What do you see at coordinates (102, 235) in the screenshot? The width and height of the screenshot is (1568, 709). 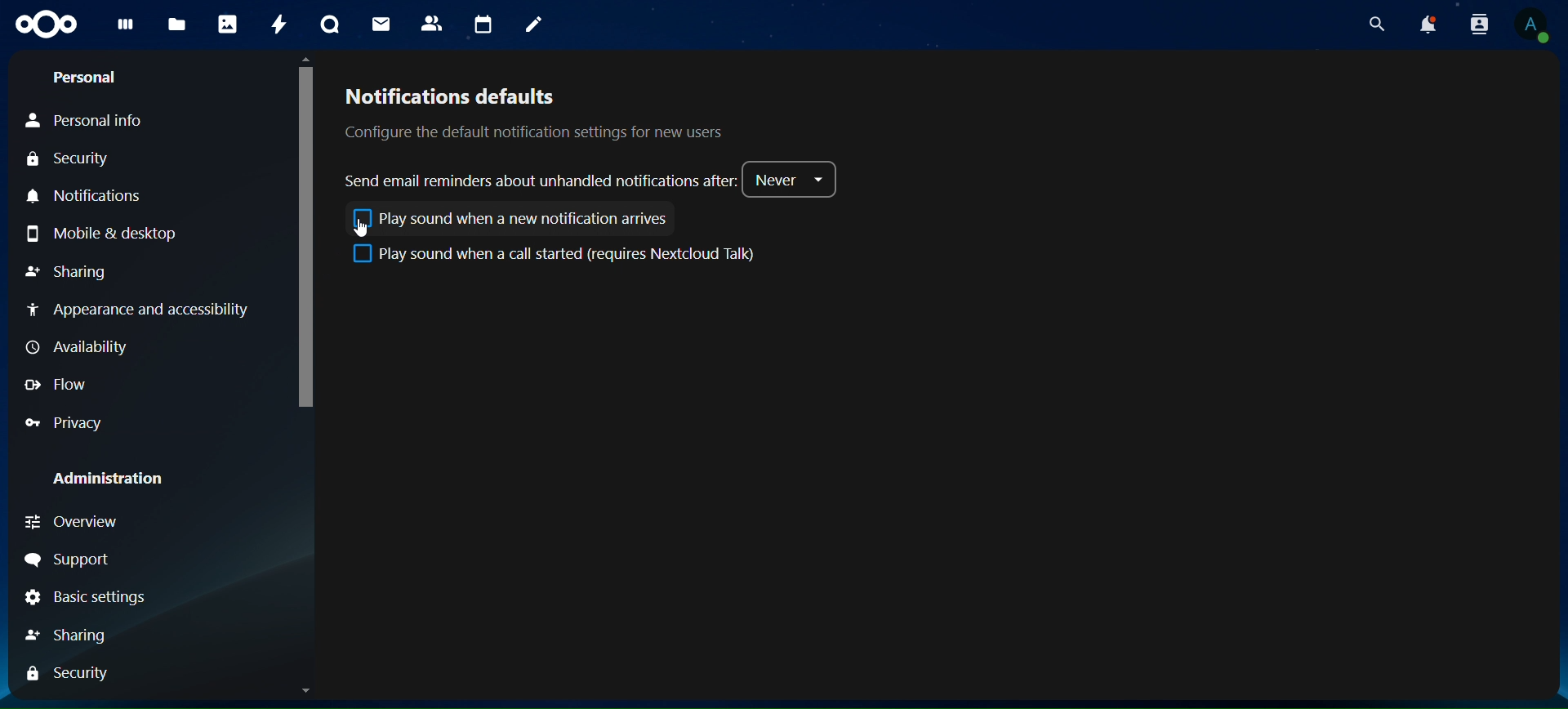 I see `Mobile & desktop` at bounding box center [102, 235].